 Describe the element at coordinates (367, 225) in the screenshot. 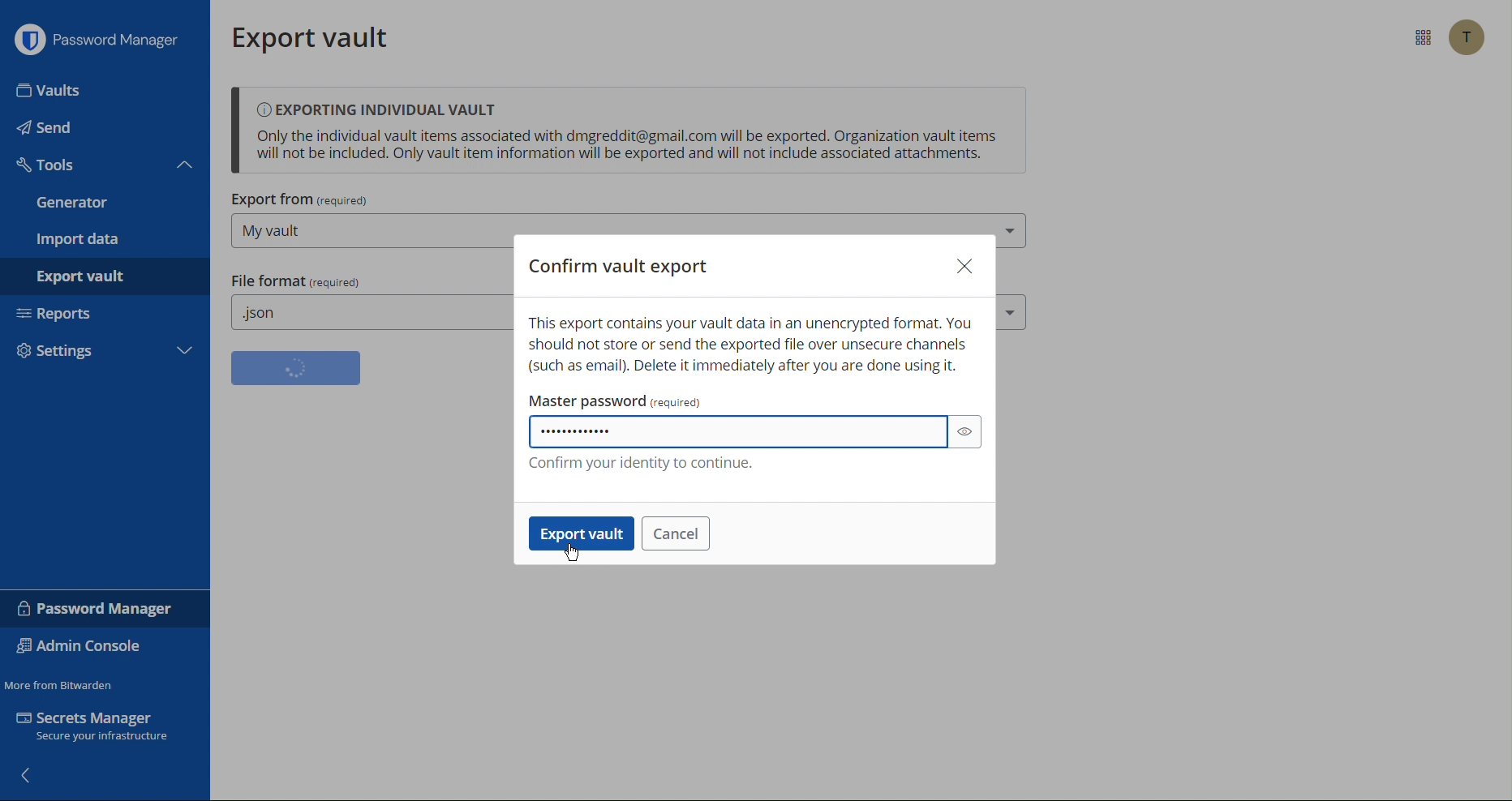

I see `Export from (My vault)` at that location.